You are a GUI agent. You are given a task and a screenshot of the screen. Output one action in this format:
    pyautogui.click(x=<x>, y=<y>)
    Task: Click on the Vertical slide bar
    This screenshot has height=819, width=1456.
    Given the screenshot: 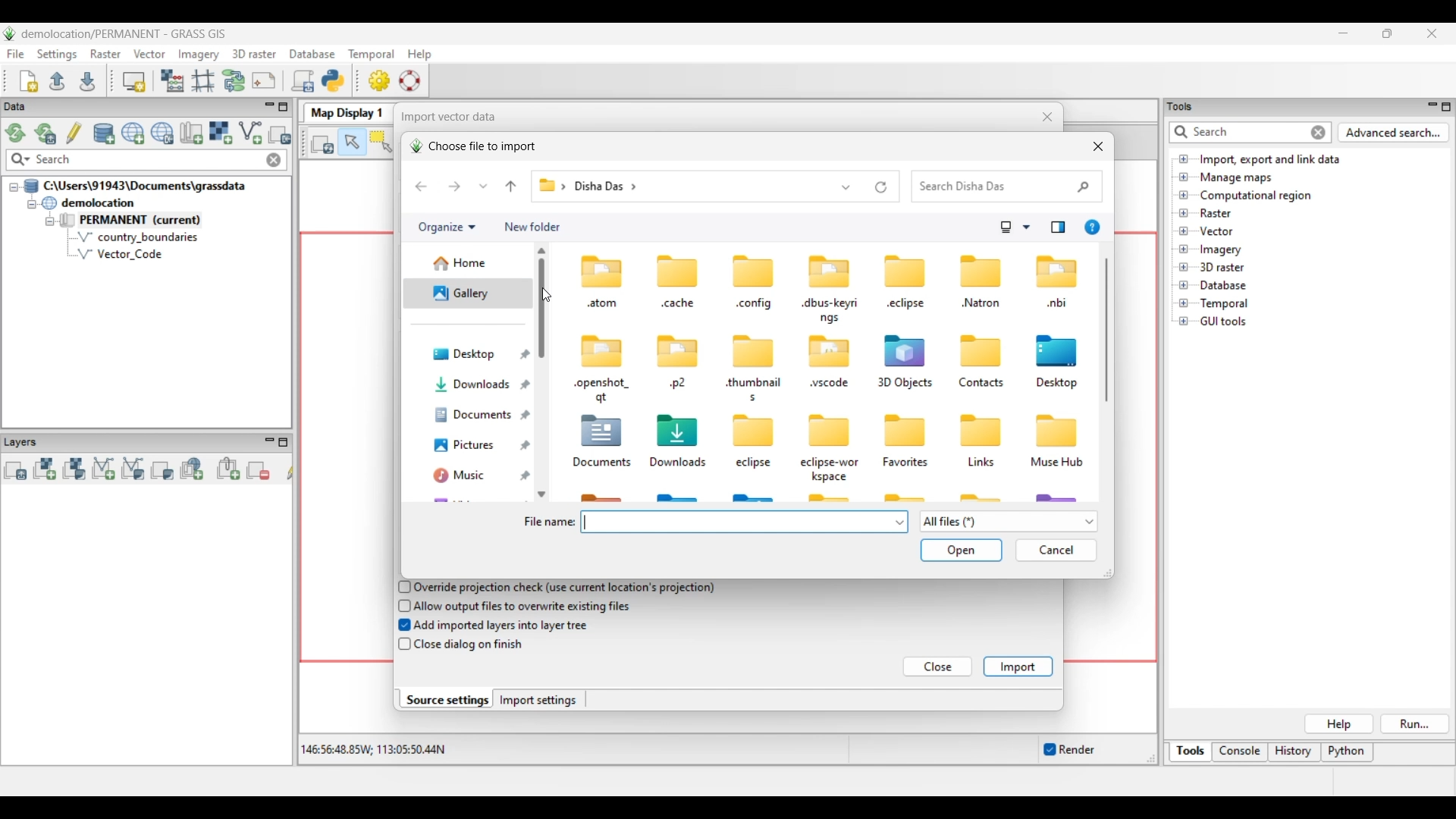 What is the action you would take?
    pyautogui.click(x=541, y=308)
    